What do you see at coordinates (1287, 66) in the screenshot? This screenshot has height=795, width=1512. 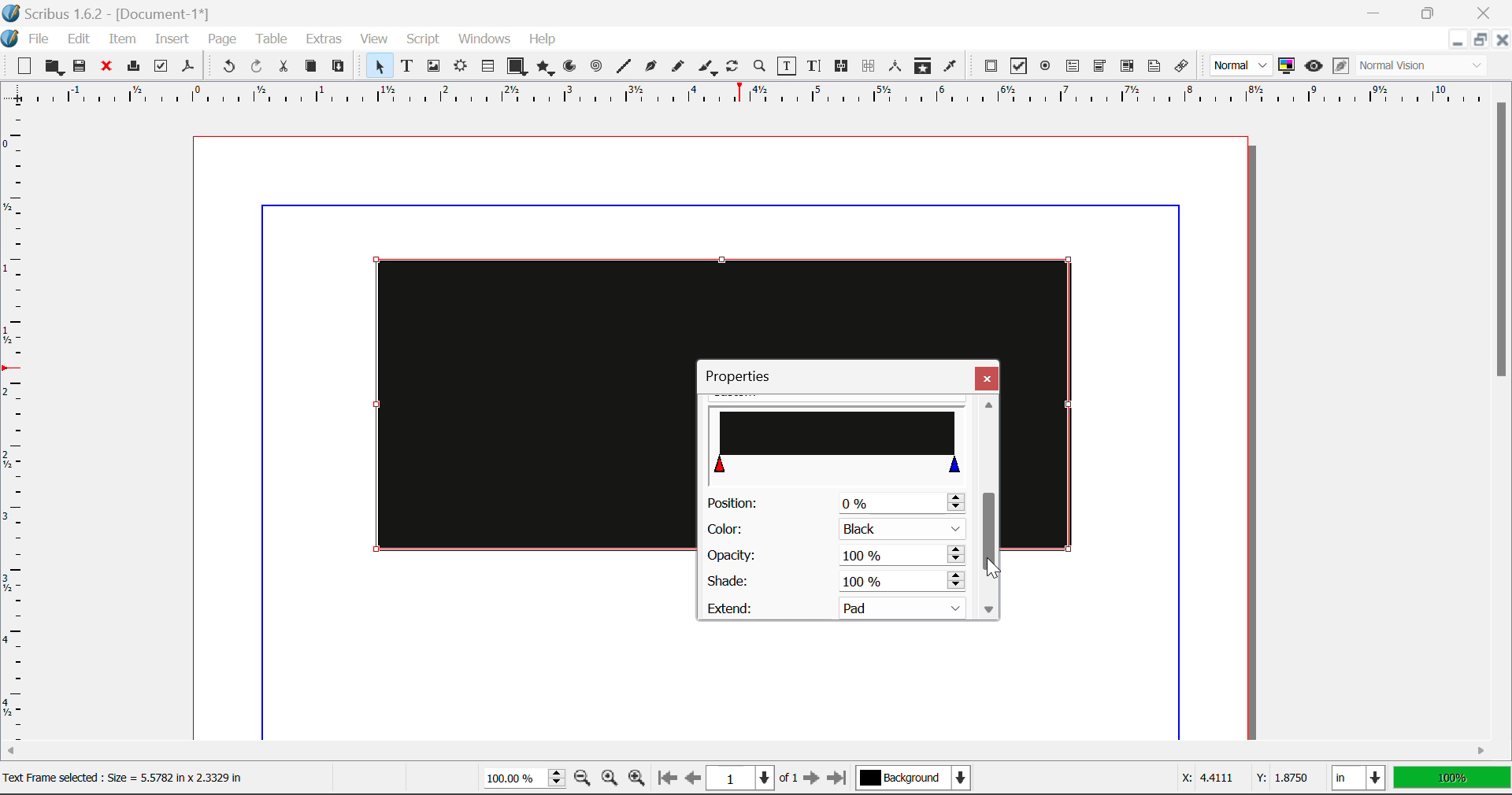 I see `Toggle Color Management` at bounding box center [1287, 66].